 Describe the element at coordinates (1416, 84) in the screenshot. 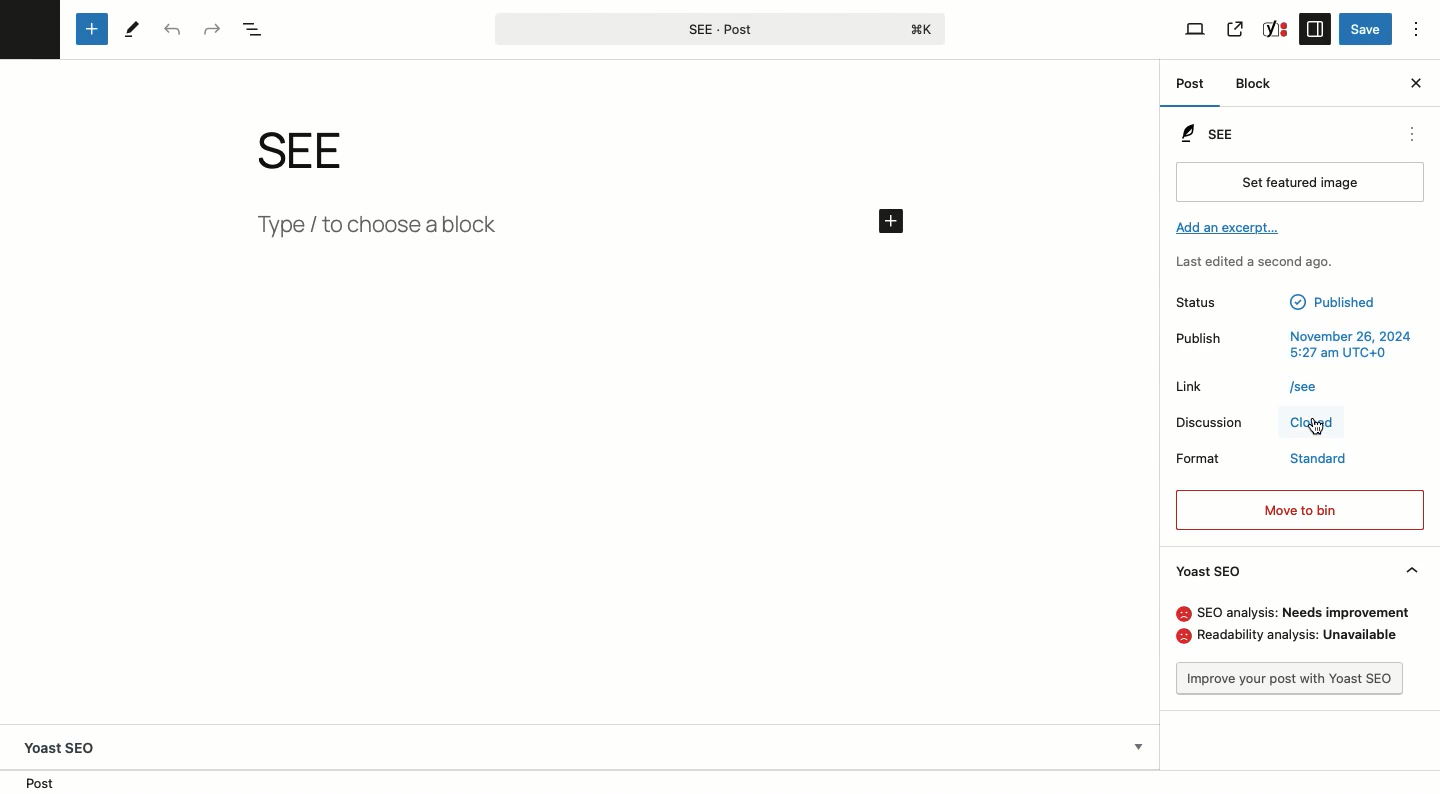

I see `Close` at that location.